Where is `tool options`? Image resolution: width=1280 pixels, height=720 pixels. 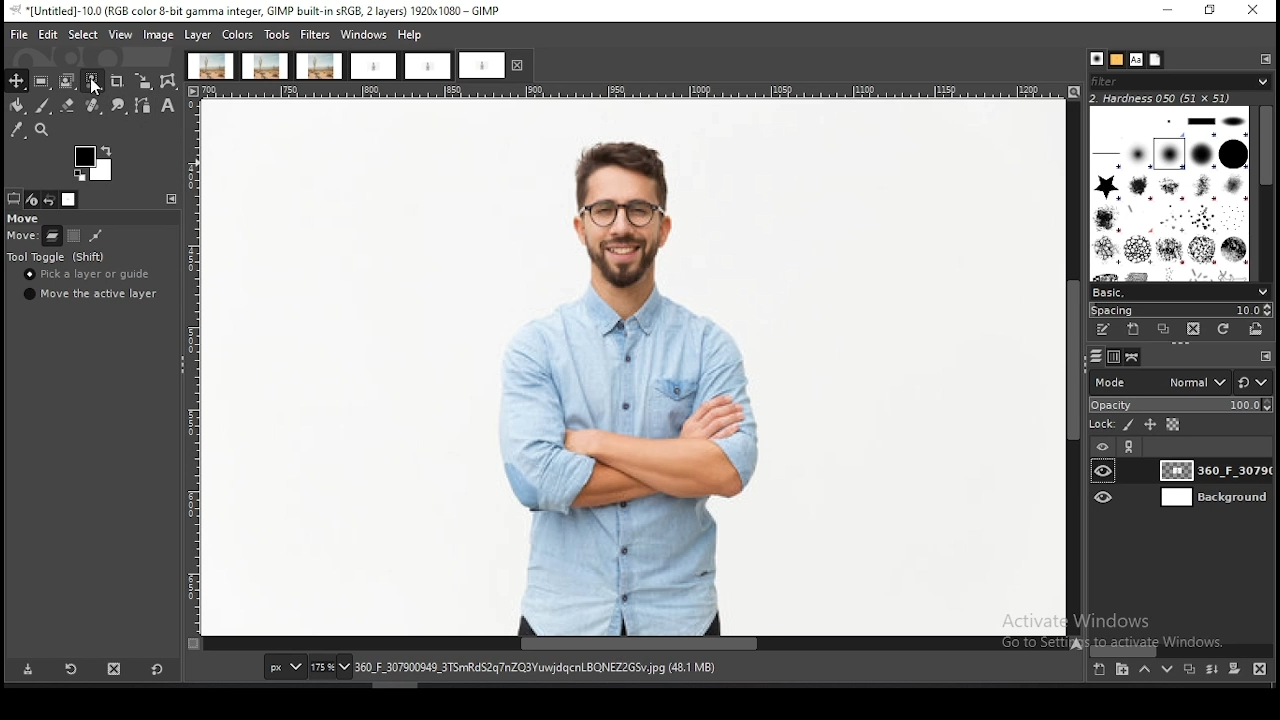
tool options is located at coordinates (14, 199).